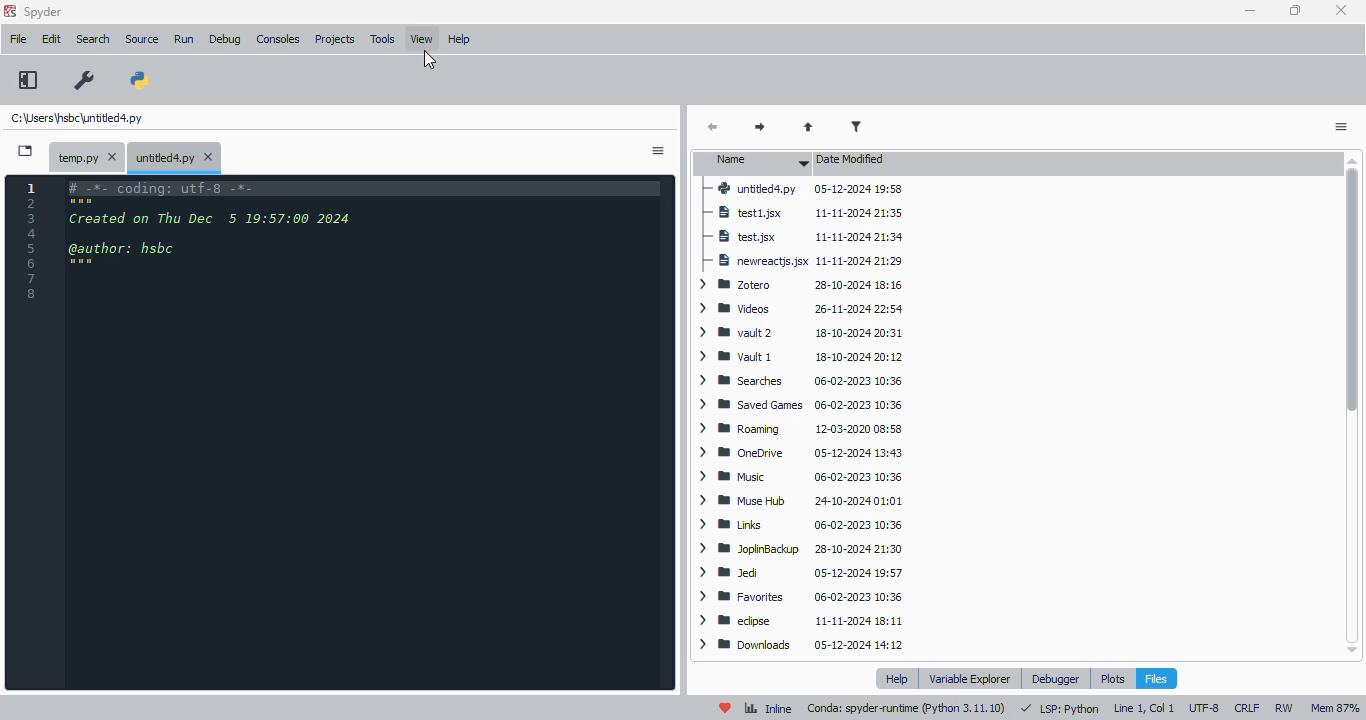 This screenshot has width=1366, height=720. What do you see at coordinates (19, 38) in the screenshot?
I see `file` at bounding box center [19, 38].